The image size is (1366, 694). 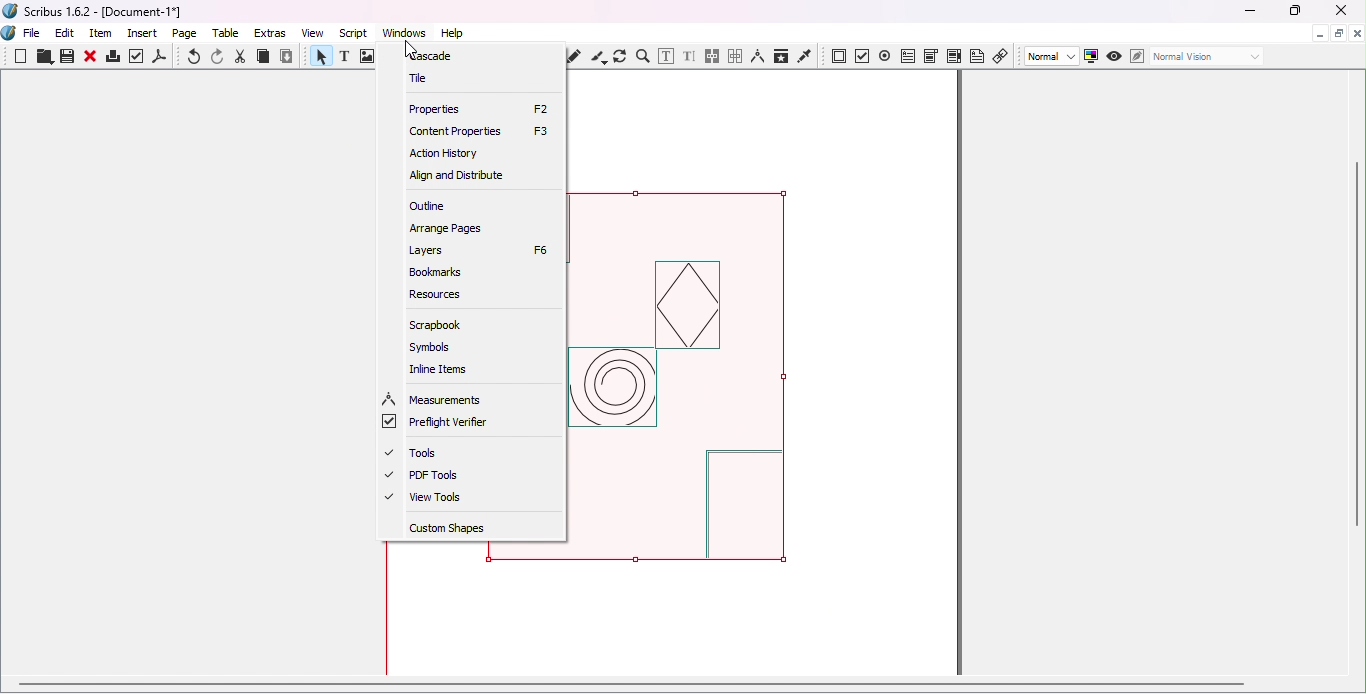 What do you see at coordinates (65, 33) in the screenshot?
I see `Edit` at bounding box center [65, 33].